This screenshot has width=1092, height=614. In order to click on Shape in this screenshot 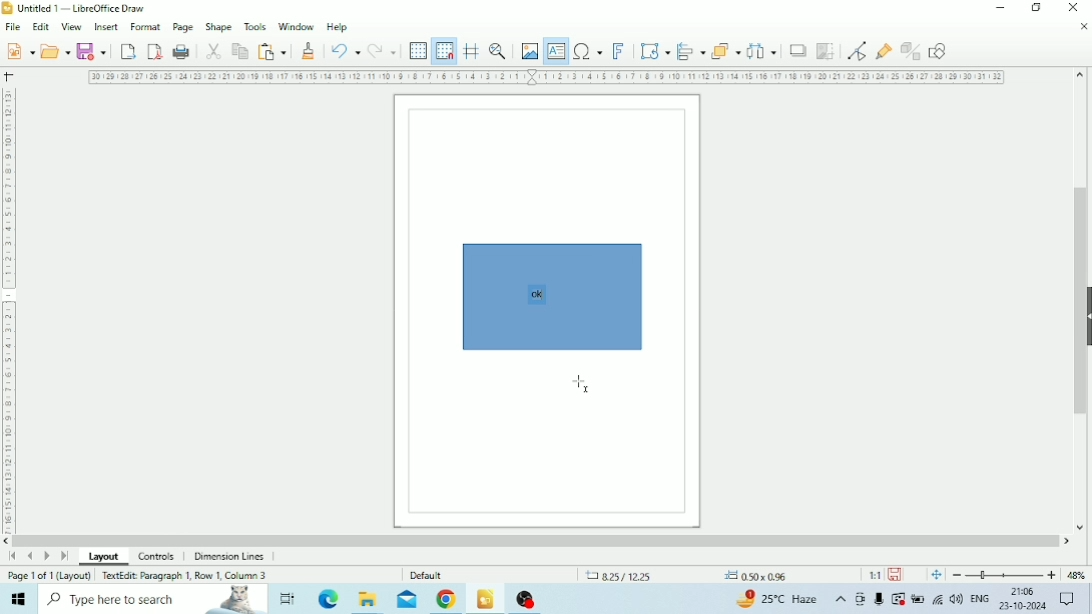, I will do `click(218, 26)`.